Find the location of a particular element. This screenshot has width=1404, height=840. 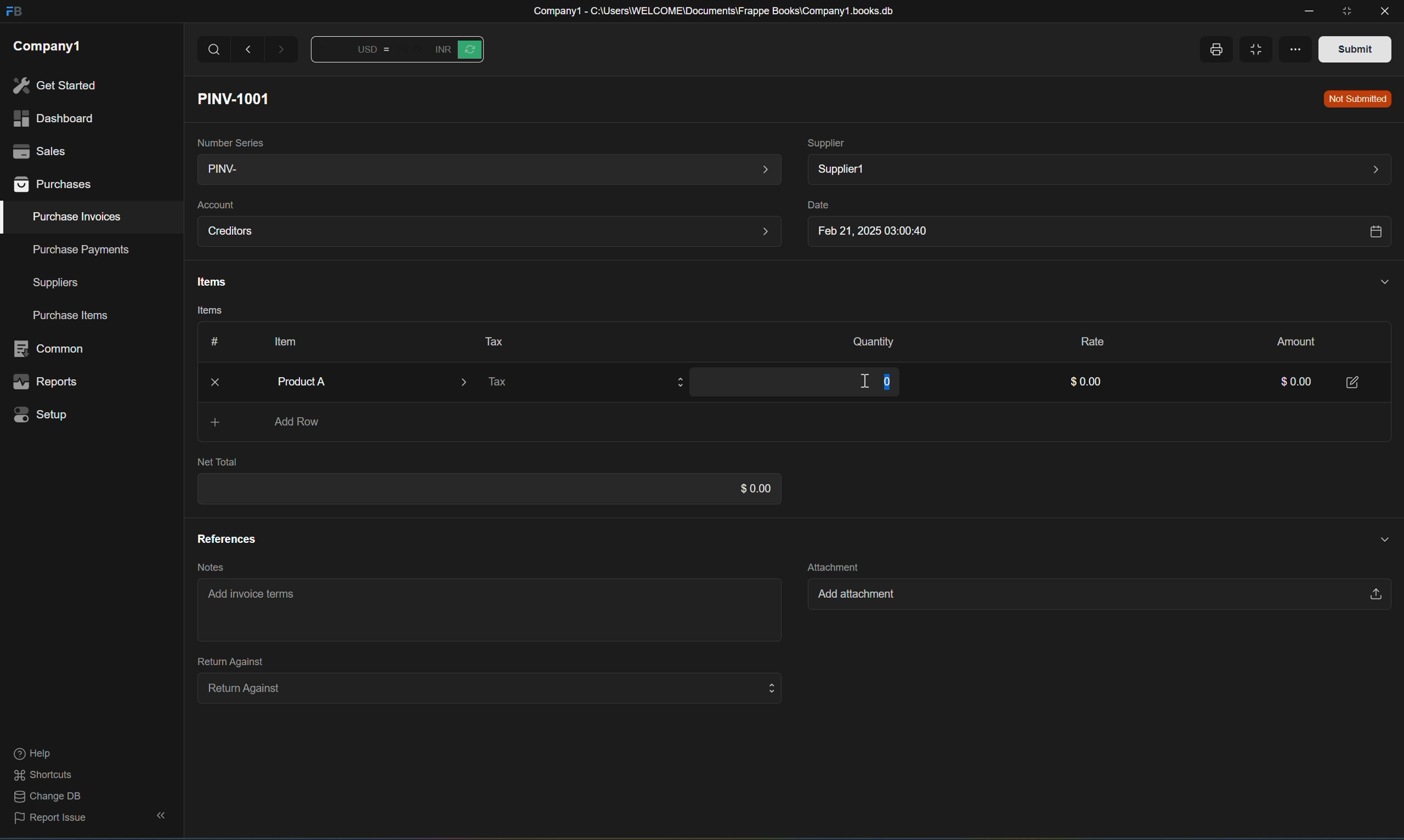

$0.00 is located at coordinates (749, 488).